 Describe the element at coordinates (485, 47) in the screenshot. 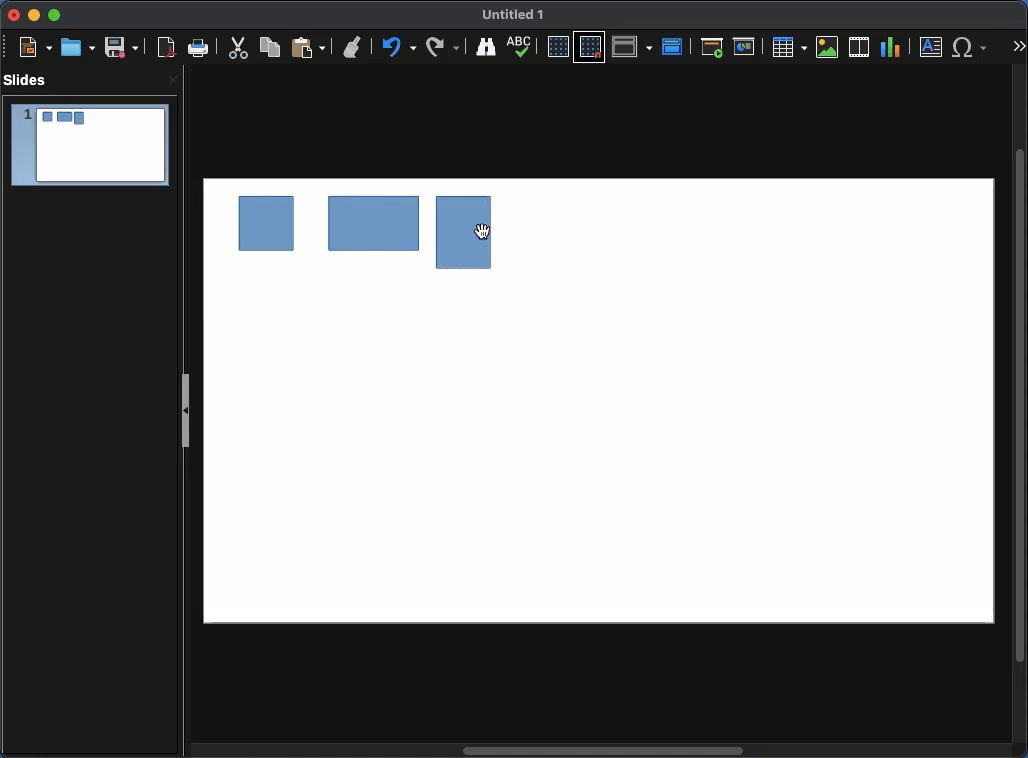

I see `Spelling` at that location.